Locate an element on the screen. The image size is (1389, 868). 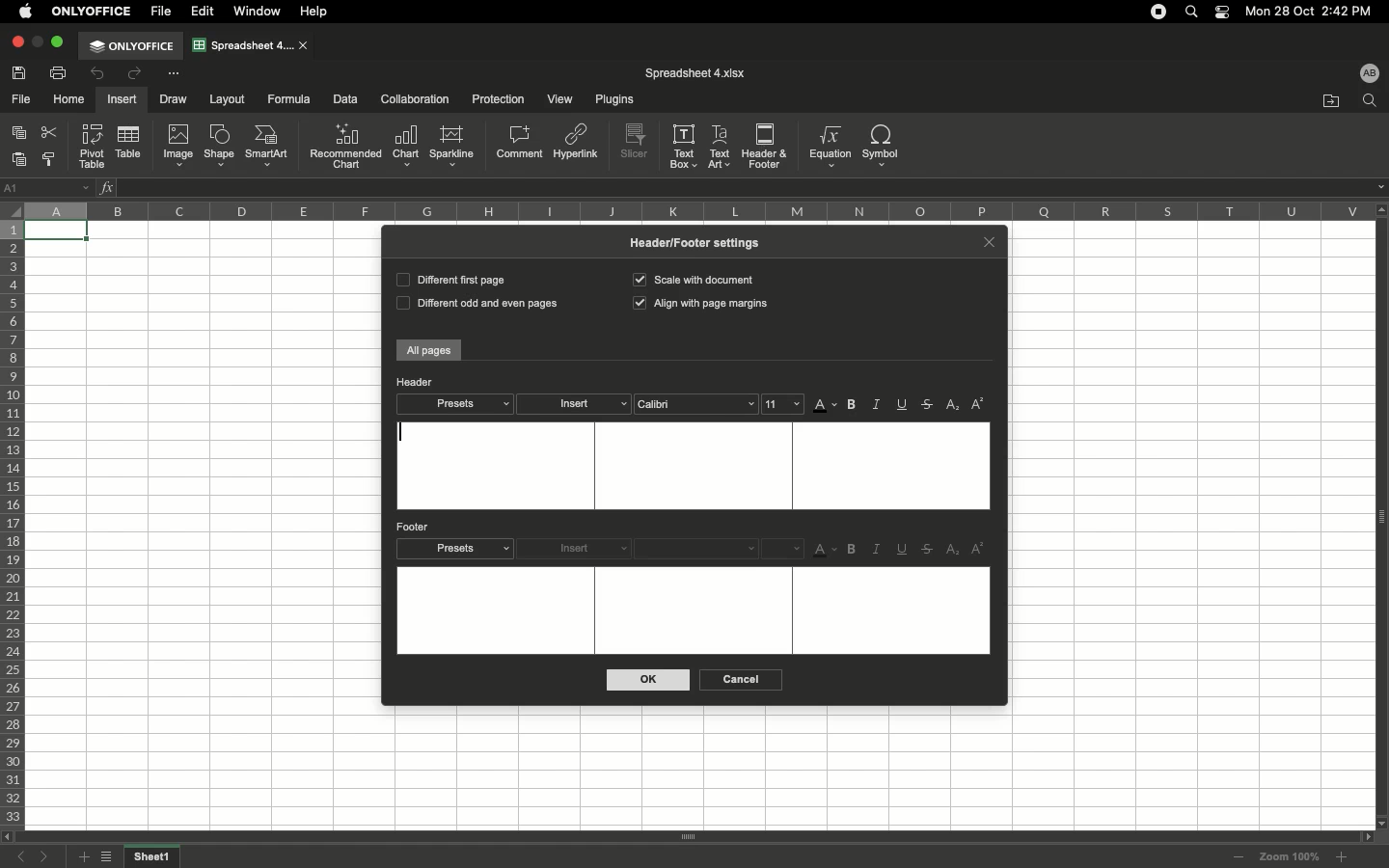
Undo is located at coordinates (99, 75).